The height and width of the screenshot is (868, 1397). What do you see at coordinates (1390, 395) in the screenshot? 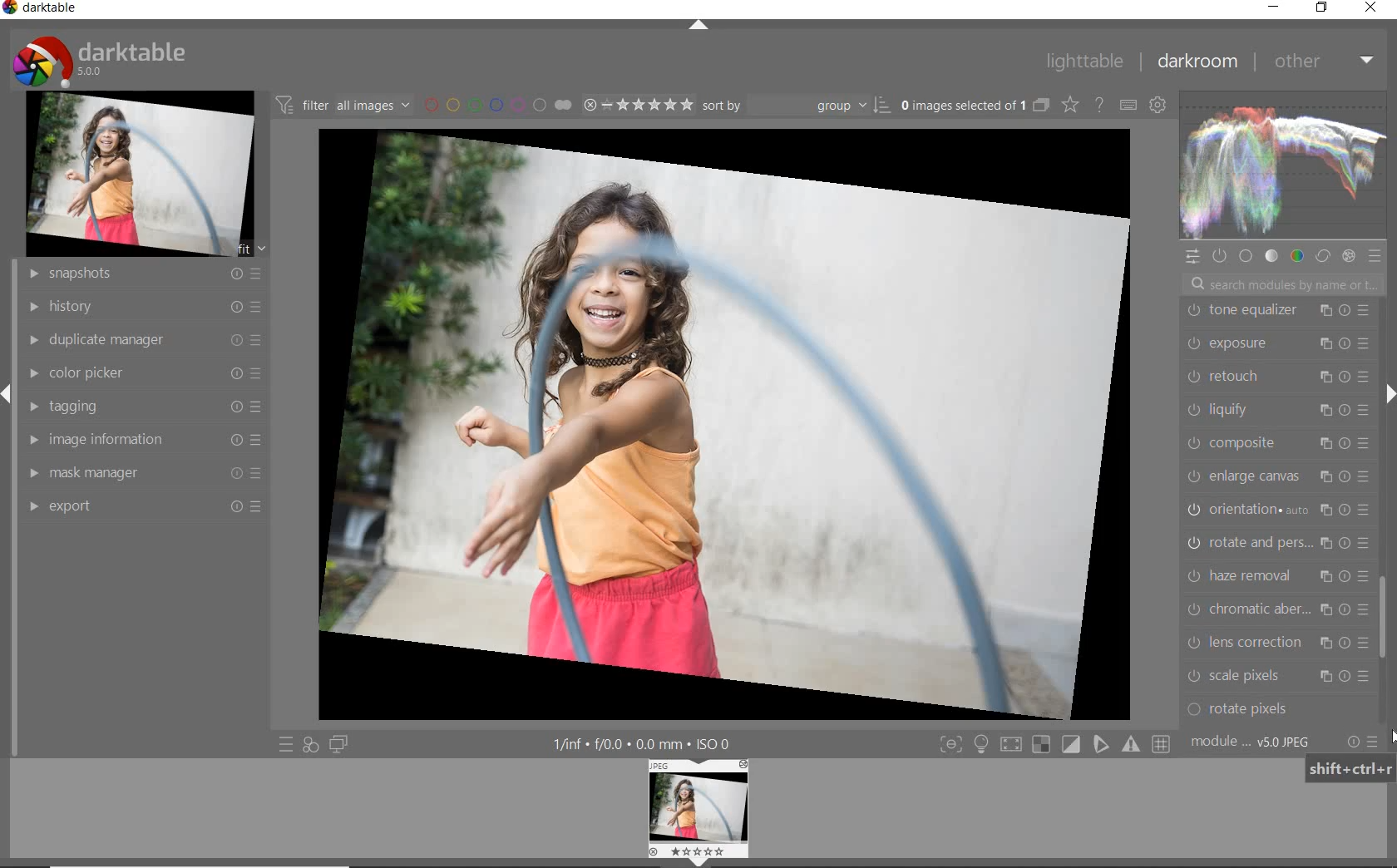
I see `expand/collapse` at bounding box center [1390, 395].